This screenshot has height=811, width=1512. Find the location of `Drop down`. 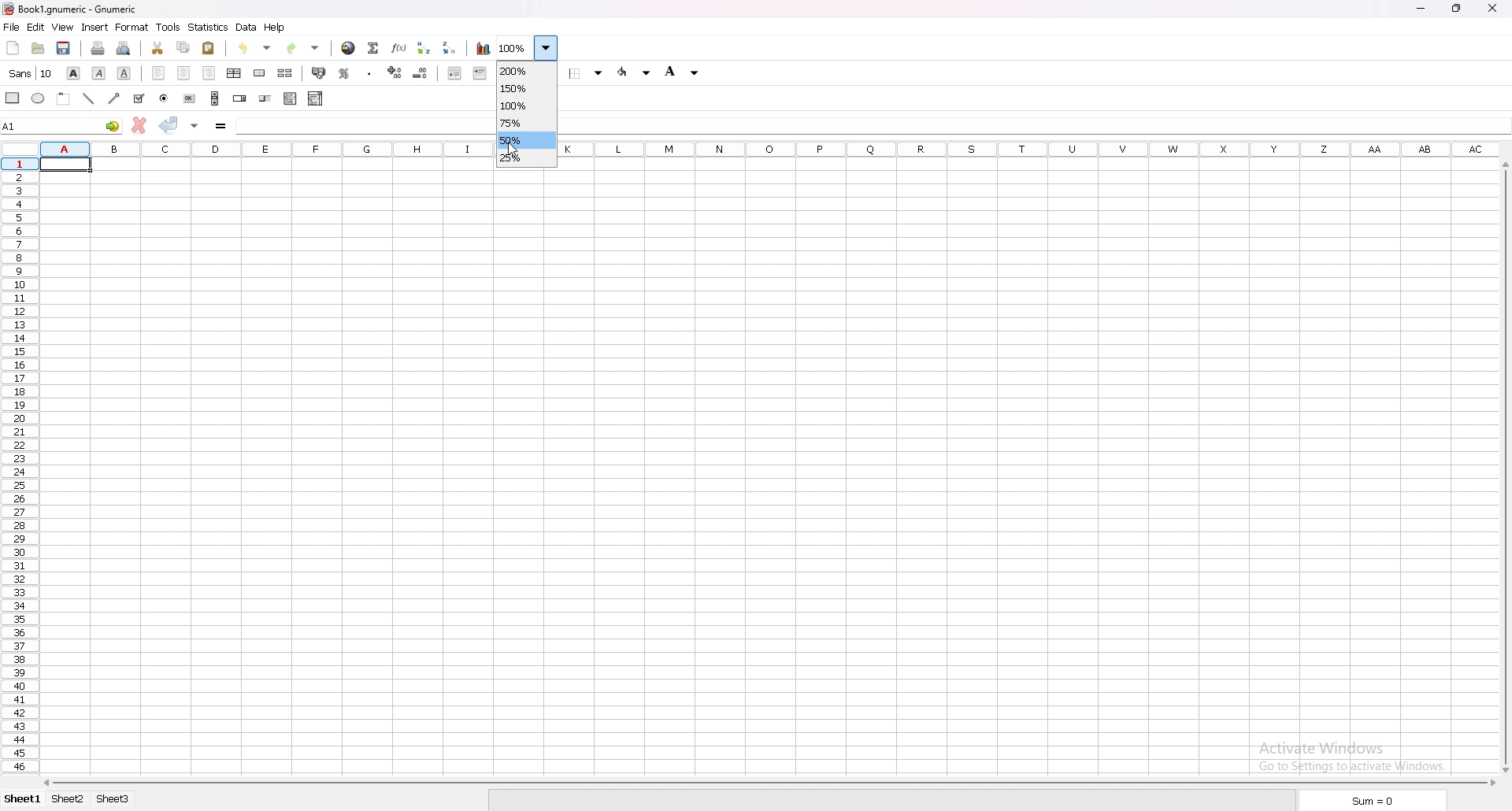

Drop down is located at coordinates (693, 72).